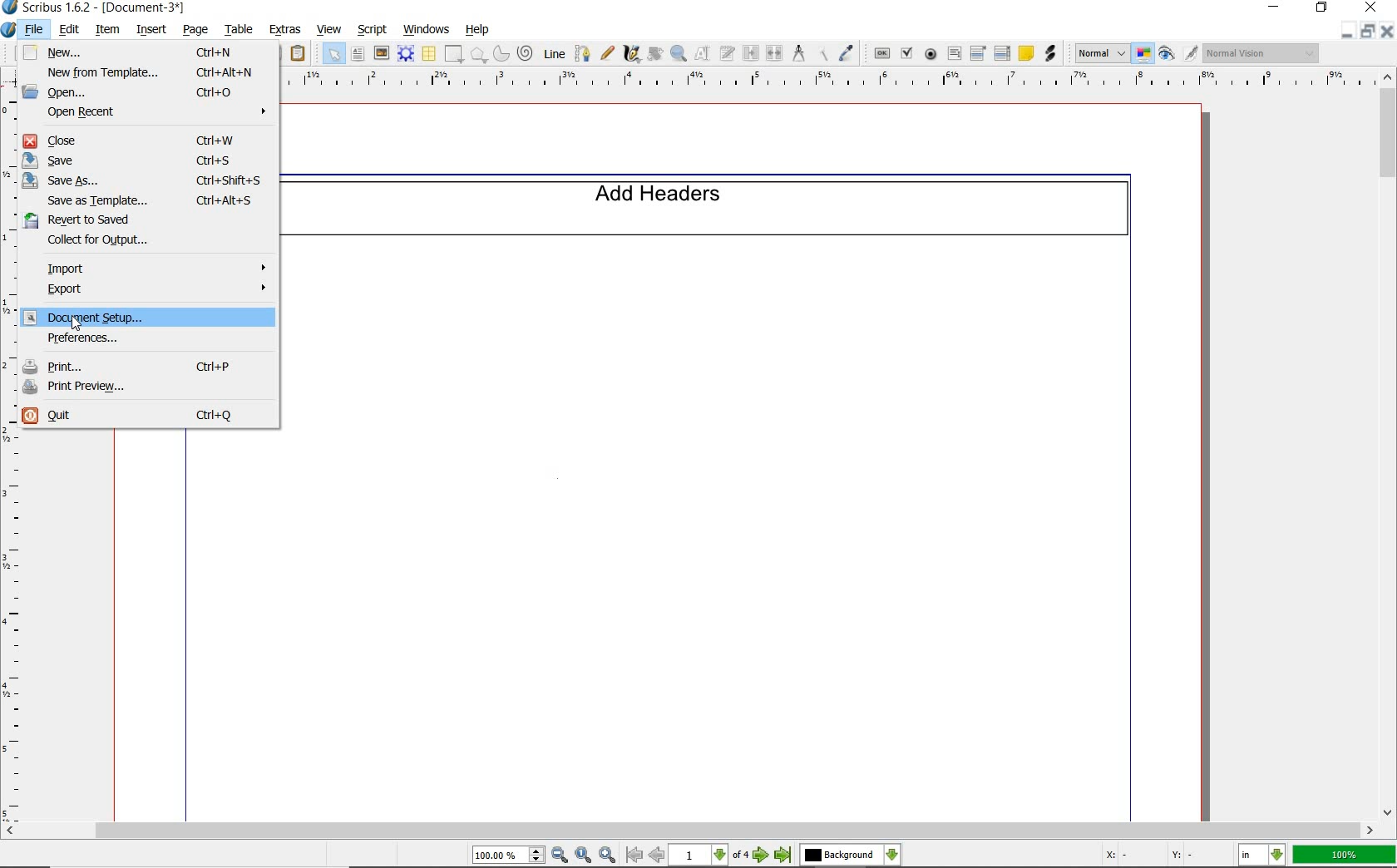 The height and width of the screenshot is (868, 1397). Describe the element at coordinates (37, 30) in the screenshot. I see `file` at that location.